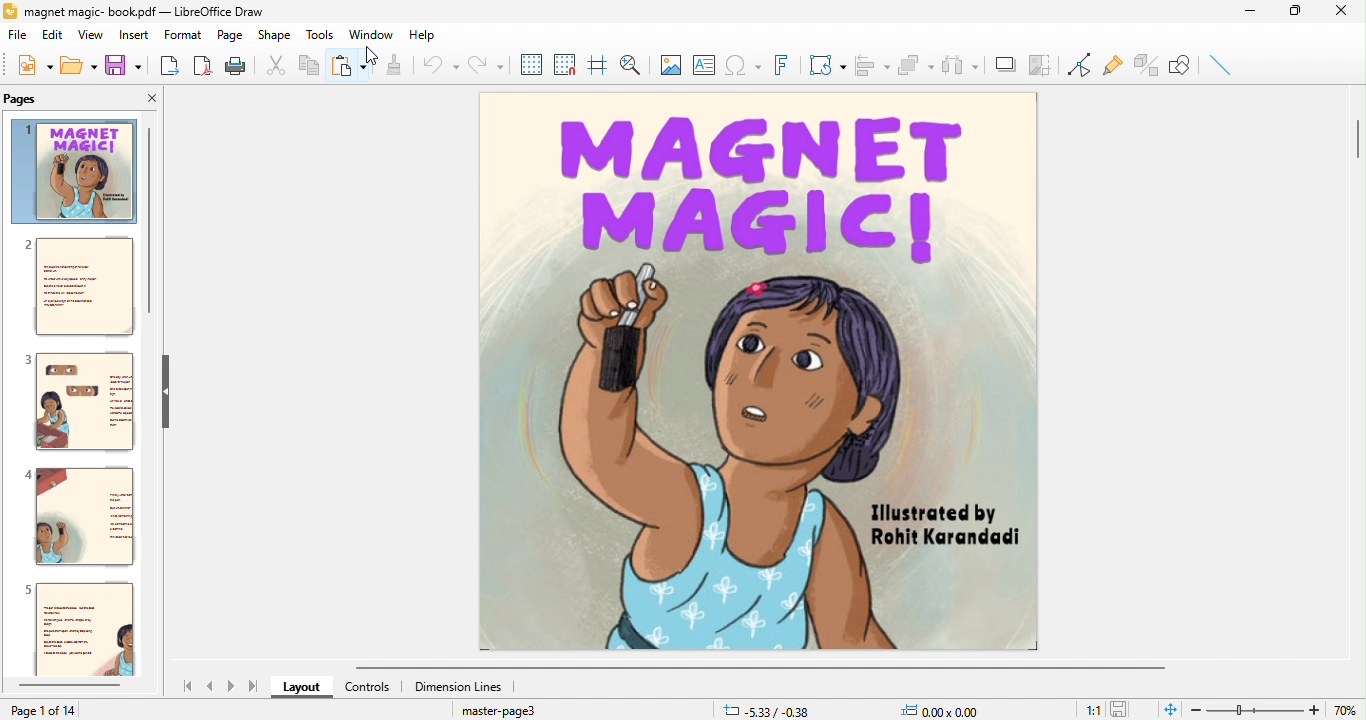 This screenshot has height=720, width=1366. I want to click on master page 3, so click(501, 711).